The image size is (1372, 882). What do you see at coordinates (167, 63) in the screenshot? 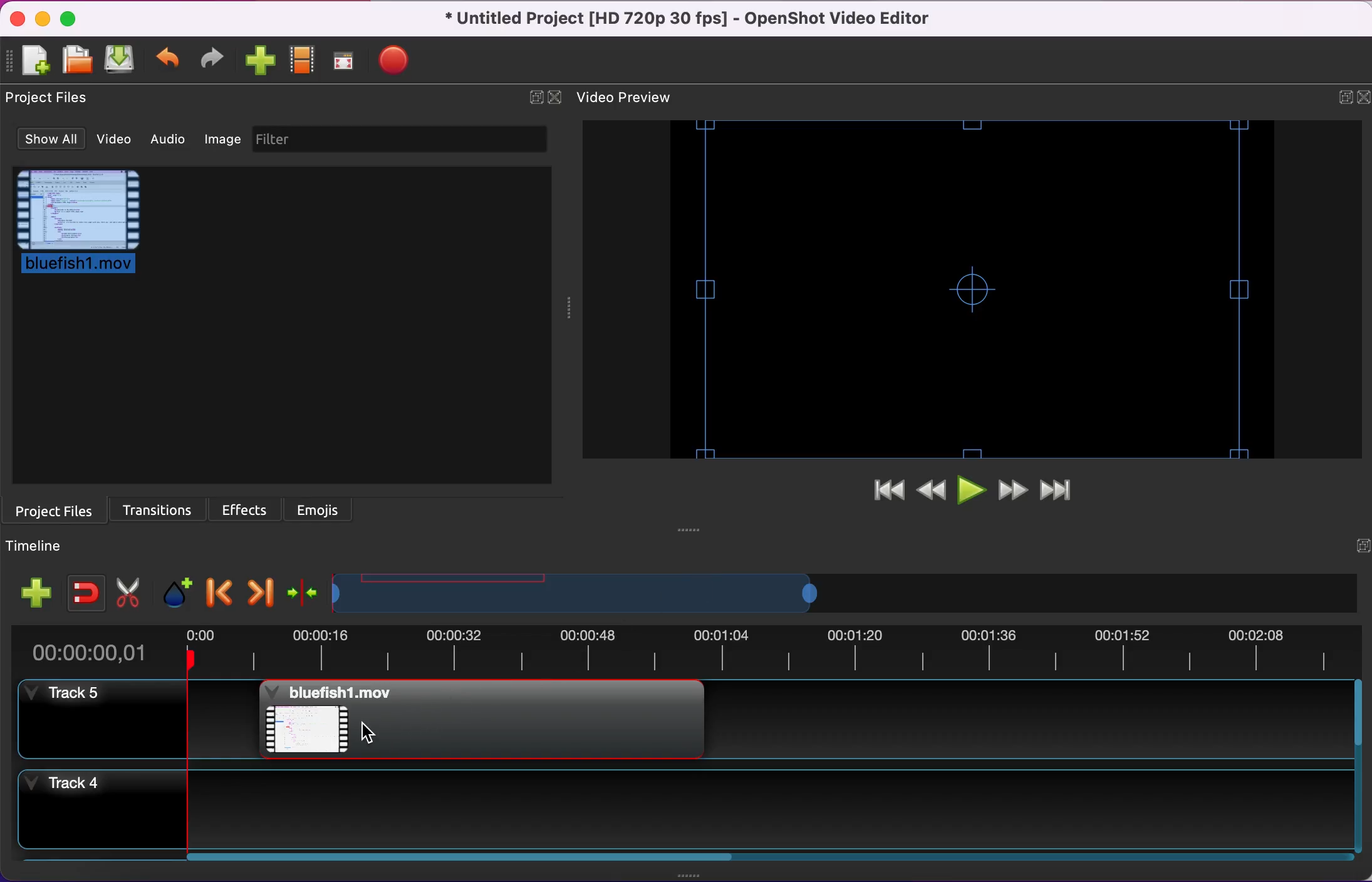
I see `undo` at bounding box center [167, 63].